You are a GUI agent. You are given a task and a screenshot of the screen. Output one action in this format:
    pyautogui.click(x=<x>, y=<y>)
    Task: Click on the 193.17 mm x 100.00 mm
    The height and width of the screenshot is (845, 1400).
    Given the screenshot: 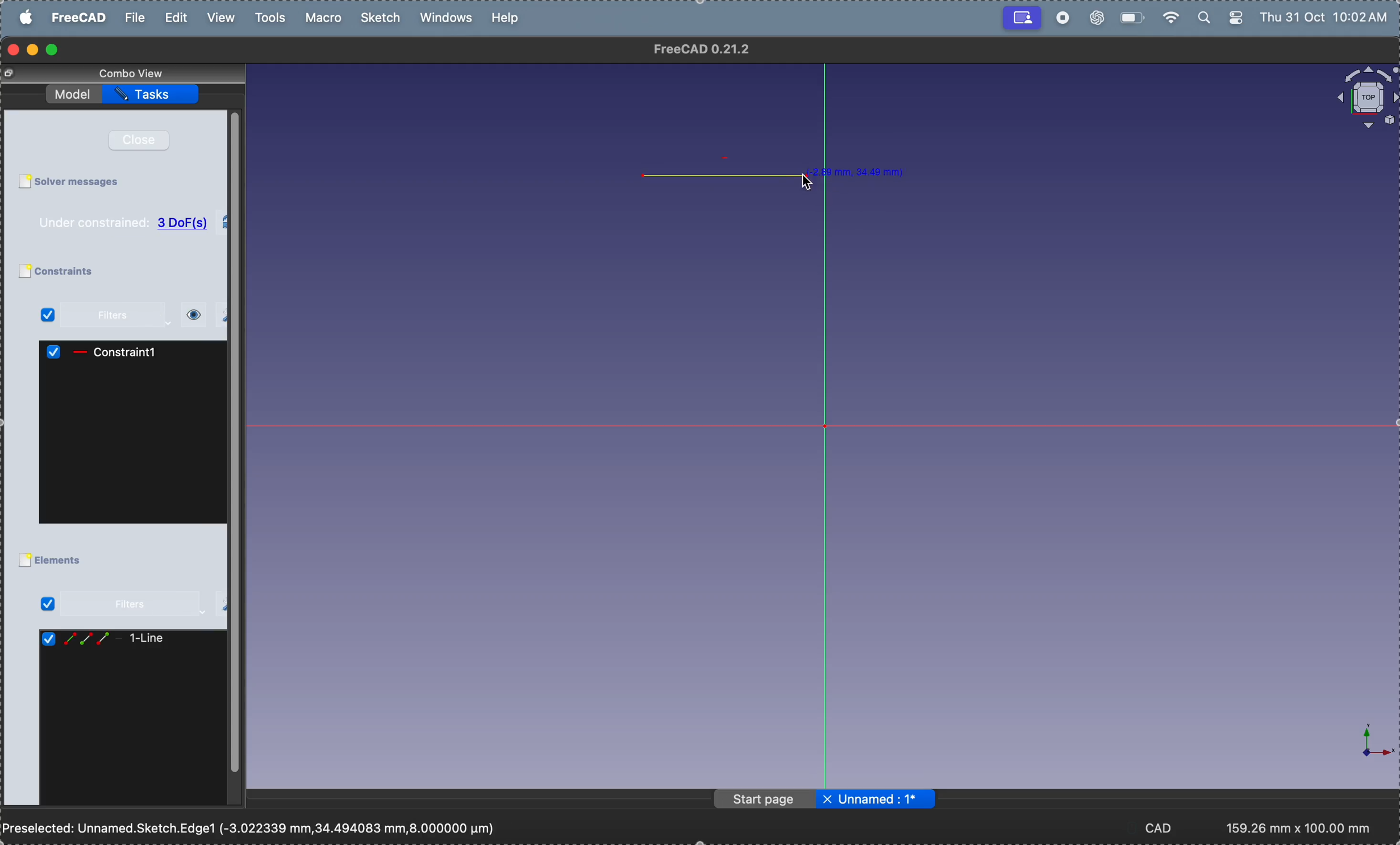 What is the action you would take?
    pyautogui.click(x=1299, y=828)
    